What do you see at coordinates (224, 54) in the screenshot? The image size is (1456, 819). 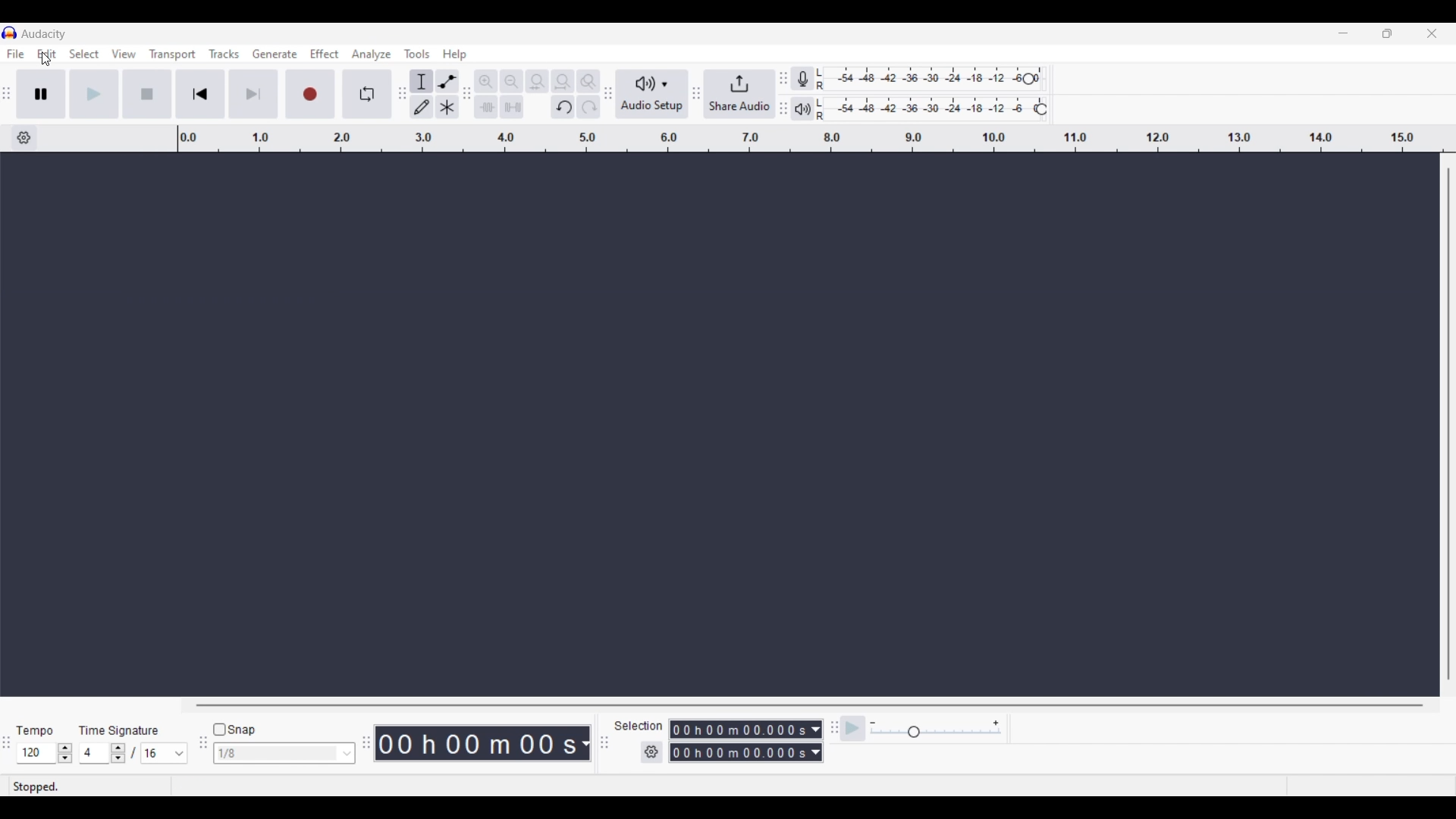 I see `Tracks menu` at bounding box center [224, 54].